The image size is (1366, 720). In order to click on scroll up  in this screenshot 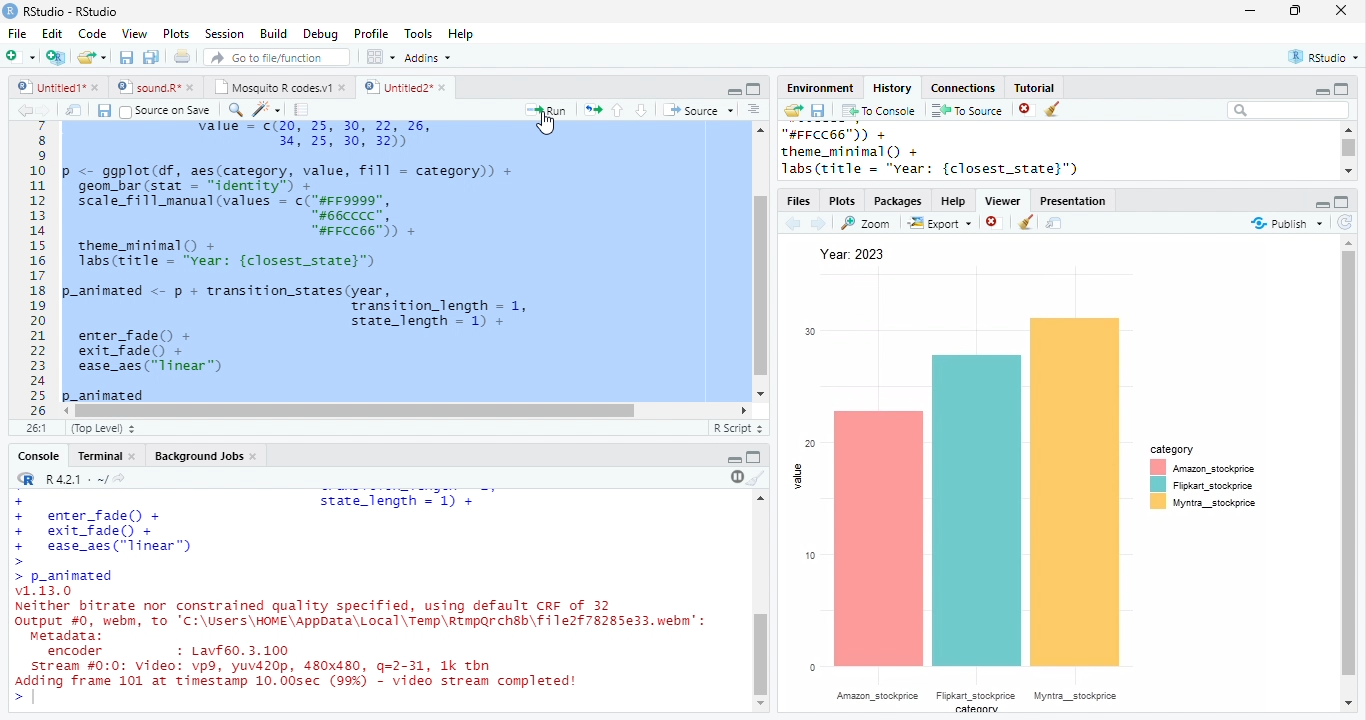, I will do `click(761, 129)`.